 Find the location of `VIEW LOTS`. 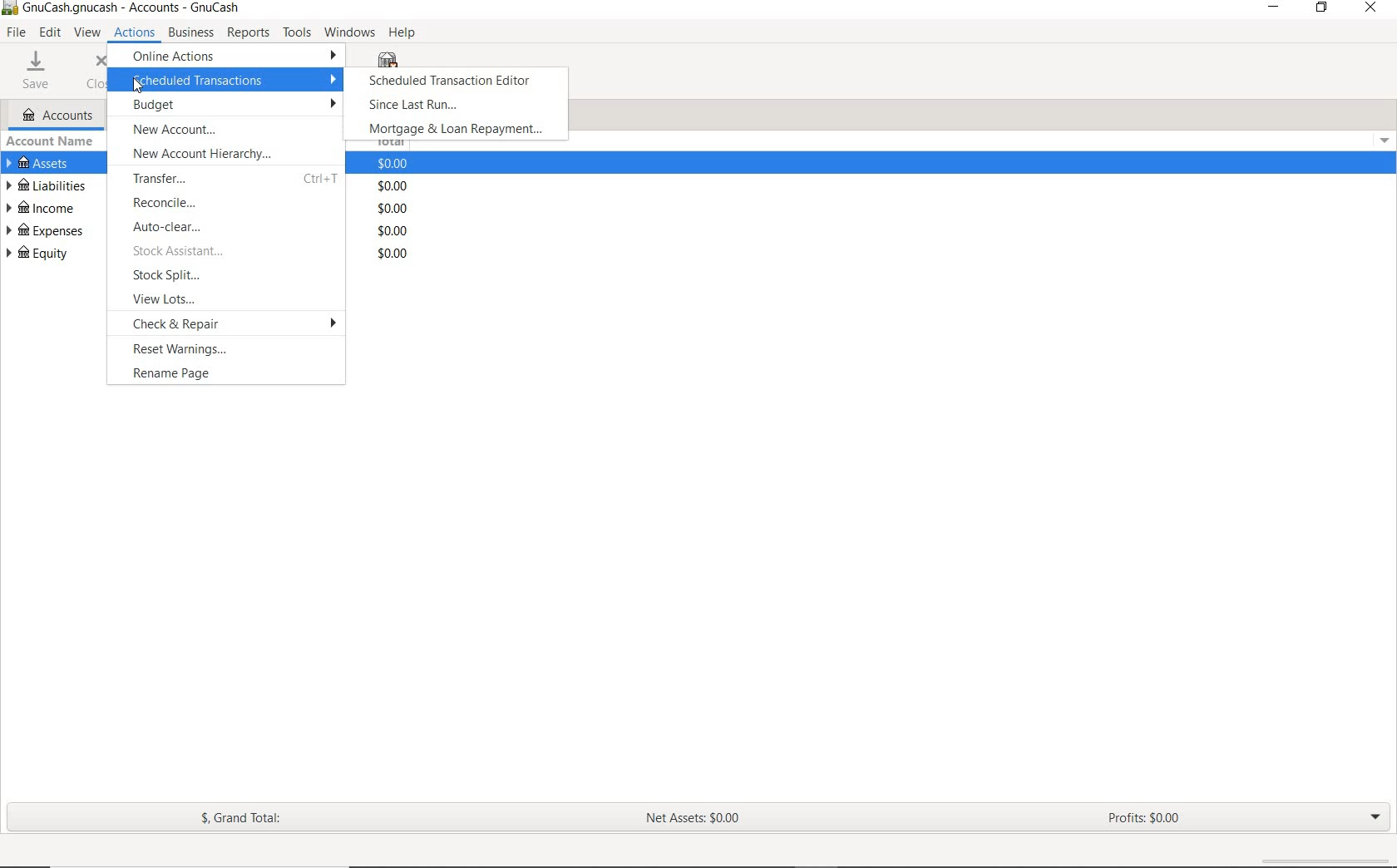

VIEW LOTS is located at coordinates (230, 298).